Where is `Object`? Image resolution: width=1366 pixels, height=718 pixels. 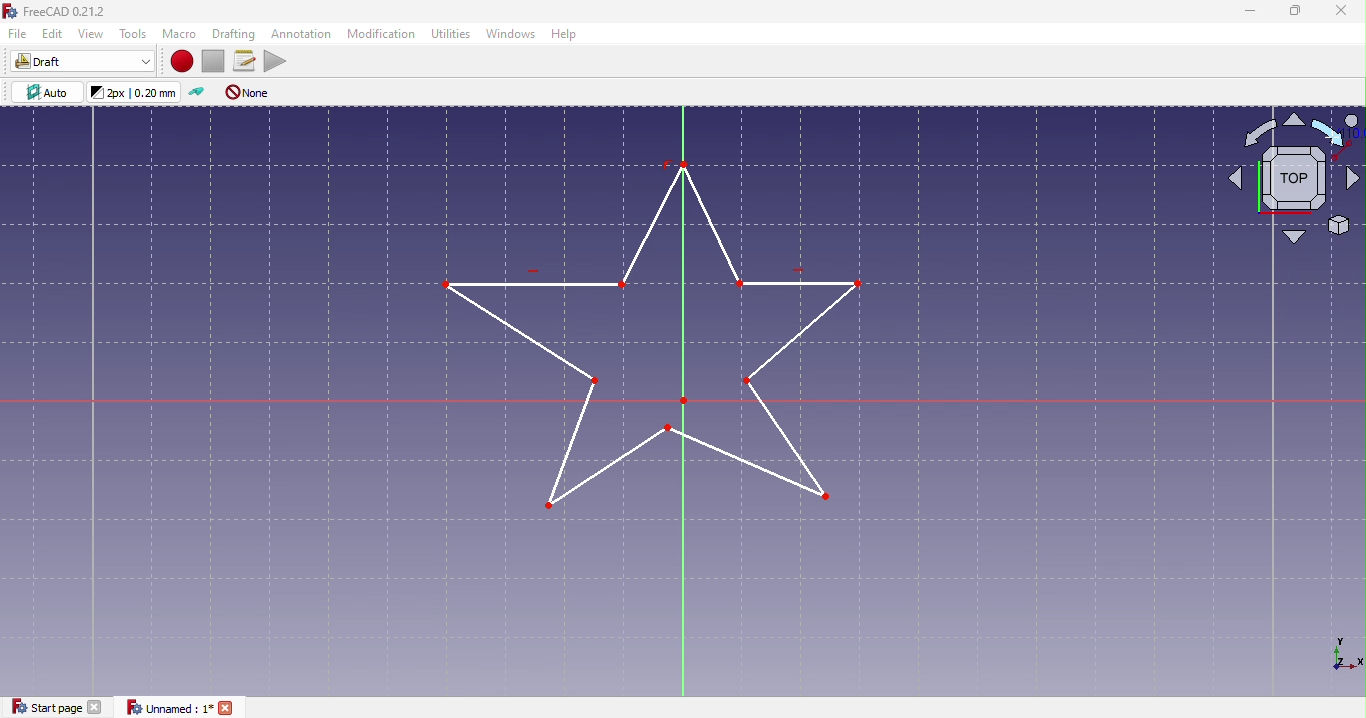 Object is located at coordinates (657, 334).